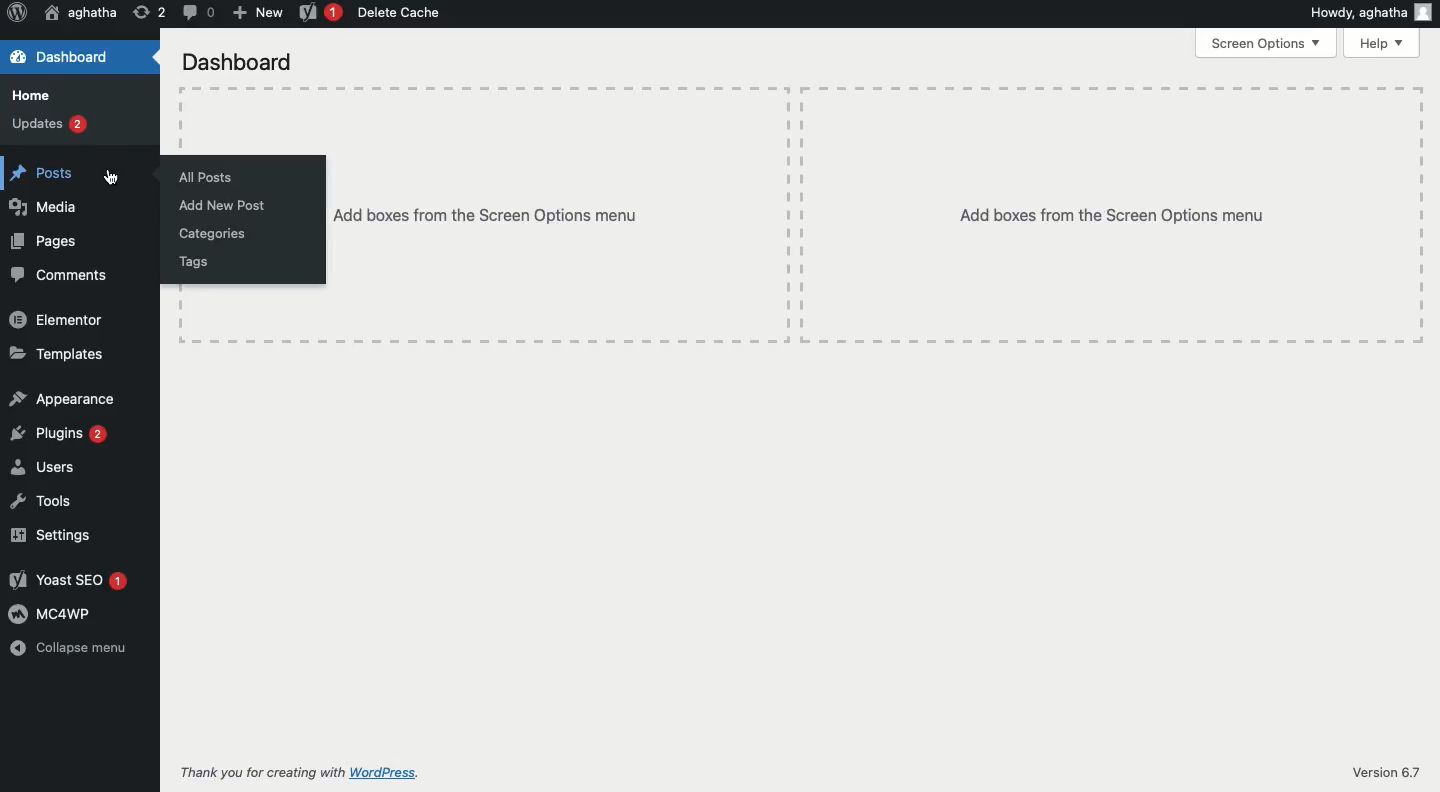 This screenshot has height=792, width=1440. I want to click on cursor, so click(114, 178).